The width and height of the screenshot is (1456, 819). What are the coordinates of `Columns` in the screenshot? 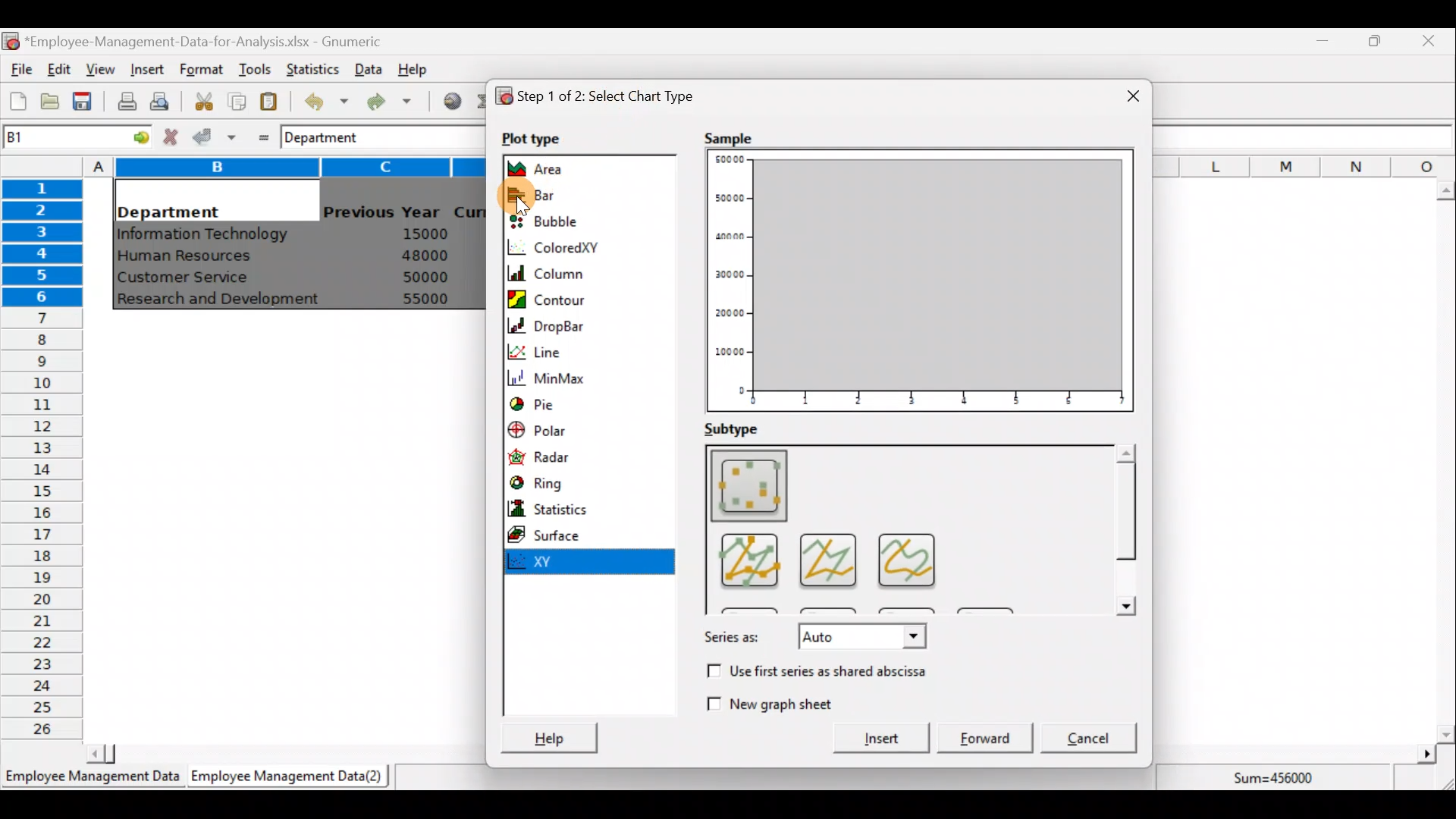 It's located at (1305, 164).